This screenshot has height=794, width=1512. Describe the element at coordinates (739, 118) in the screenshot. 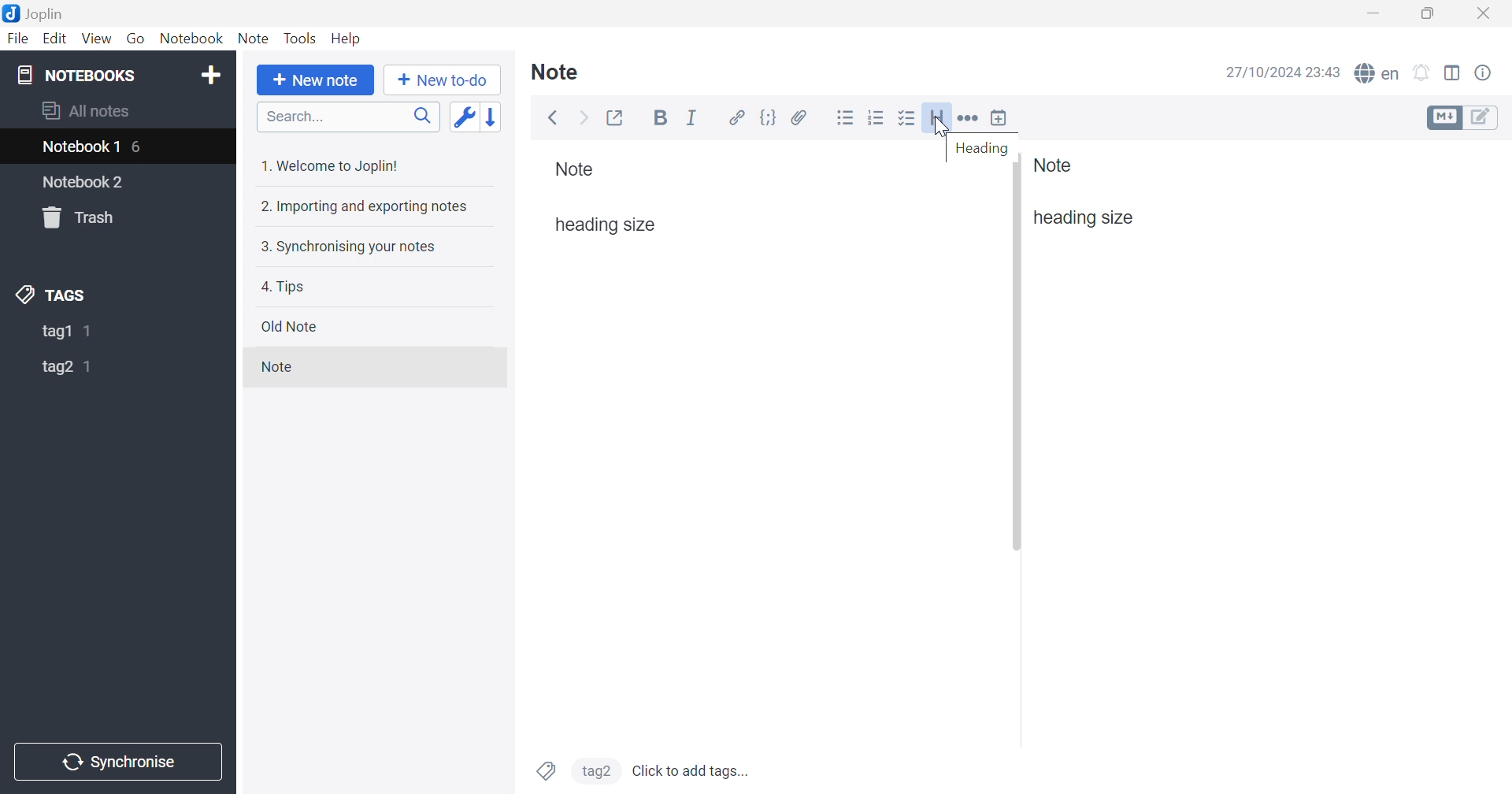

I see `Hyperlink` at that location.